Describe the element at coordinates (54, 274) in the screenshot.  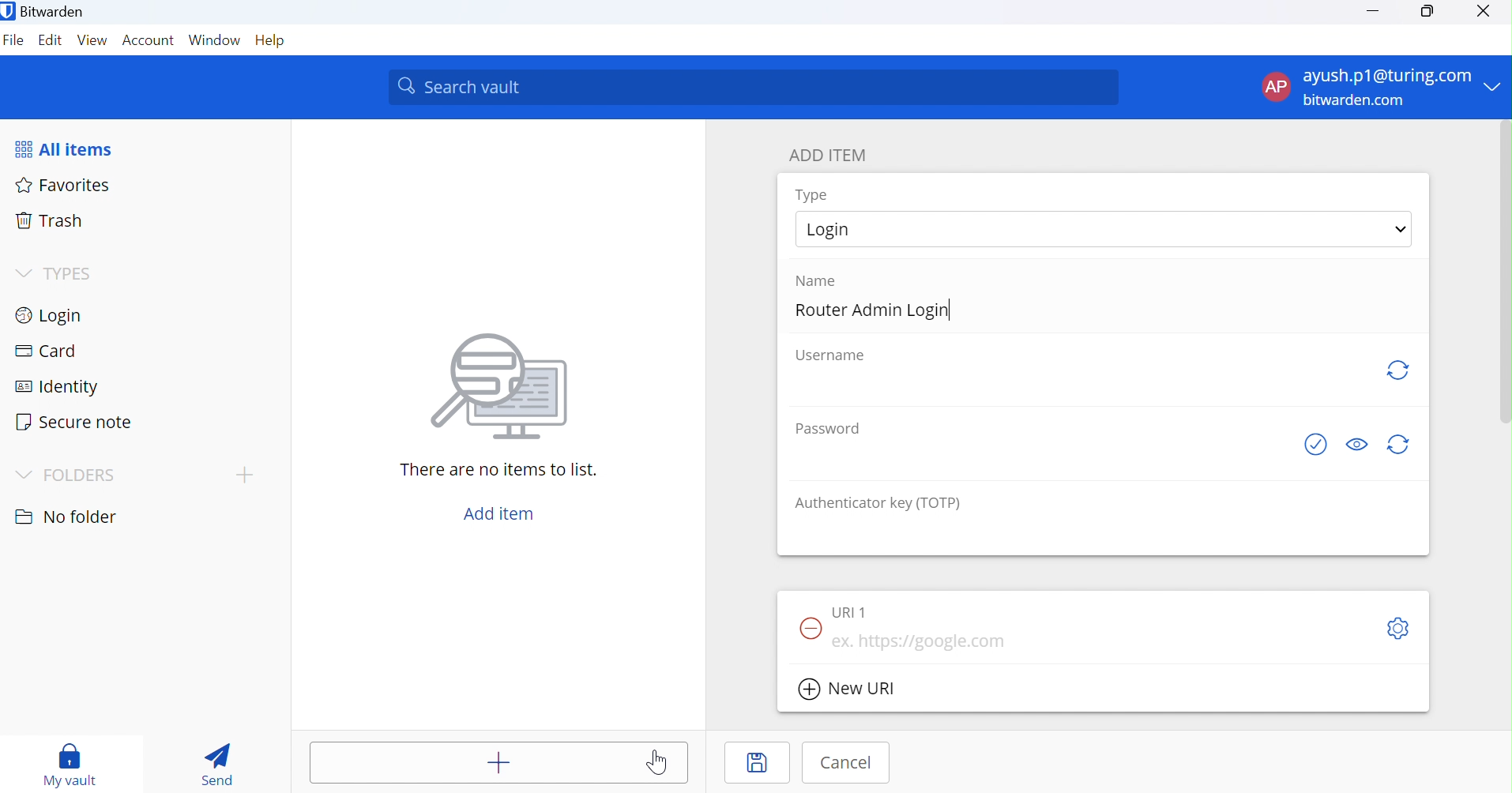
I see `TYPES` at that location.